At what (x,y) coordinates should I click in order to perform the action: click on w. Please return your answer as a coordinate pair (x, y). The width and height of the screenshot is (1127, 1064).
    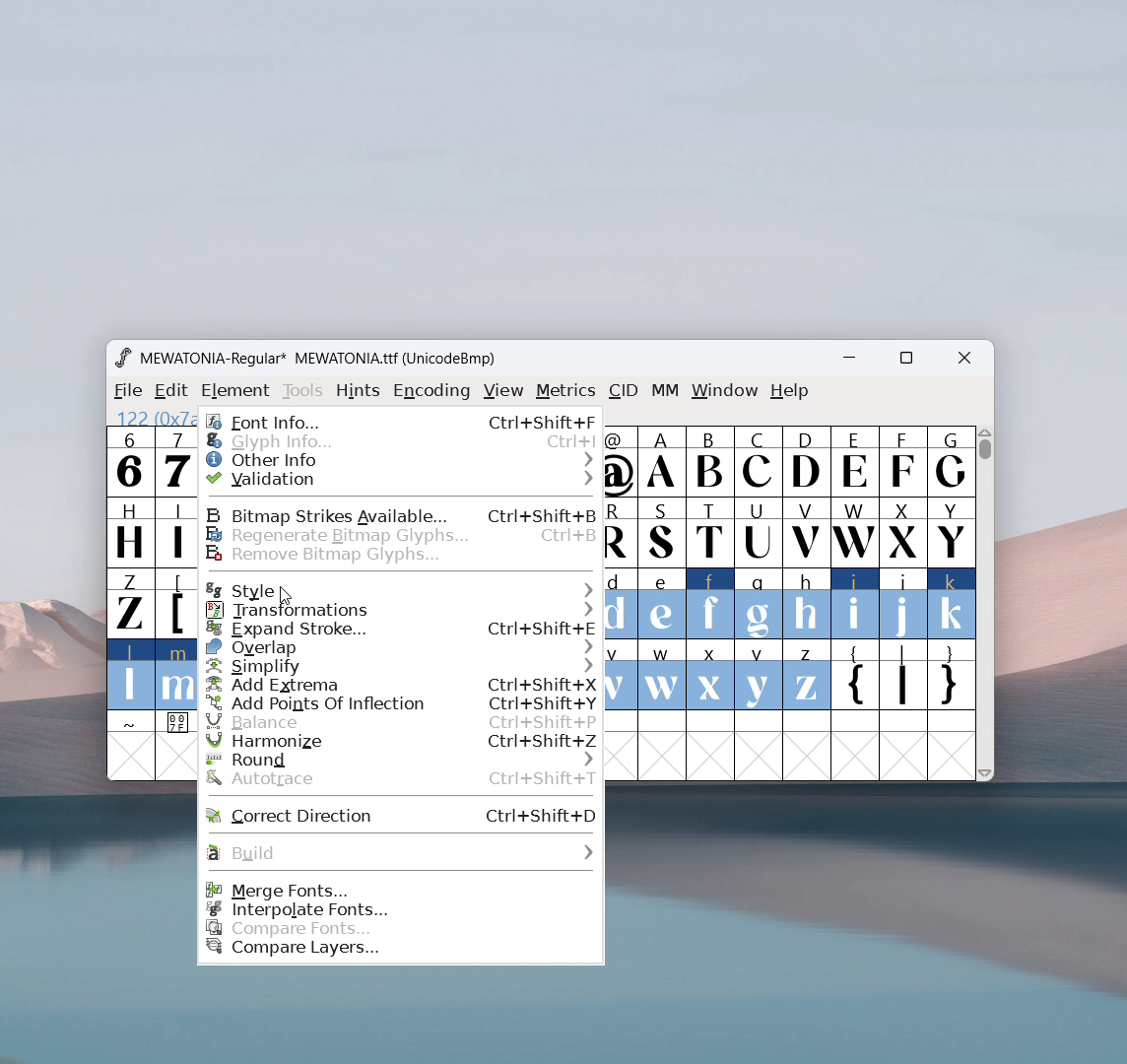
    Looking at the image, I should click on (662, 675).